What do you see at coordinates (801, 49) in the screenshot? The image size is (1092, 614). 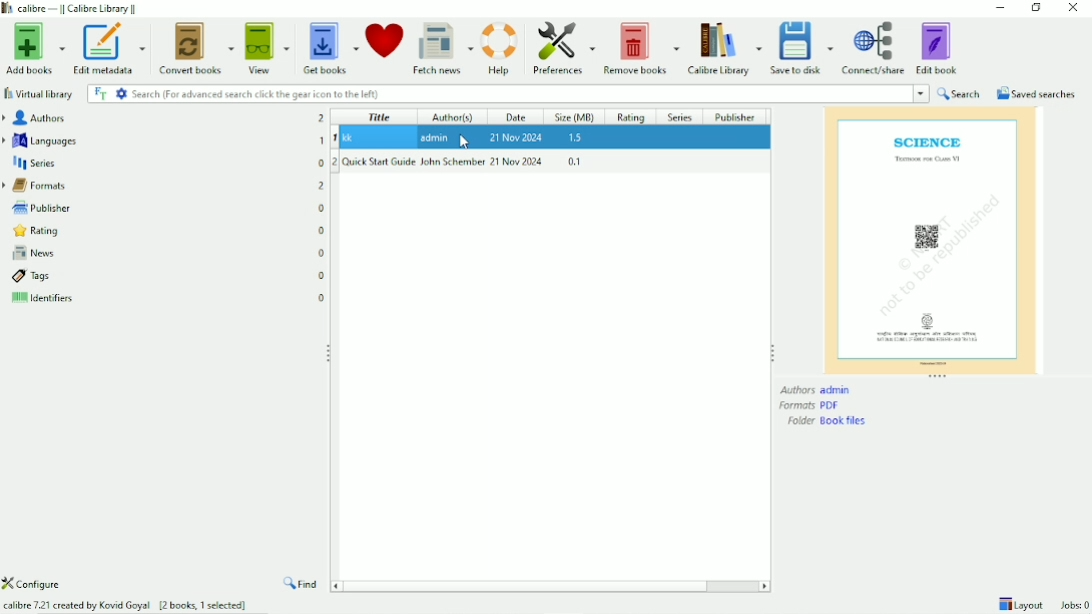 I see `Save to disk` at bounding box center [801, 49].